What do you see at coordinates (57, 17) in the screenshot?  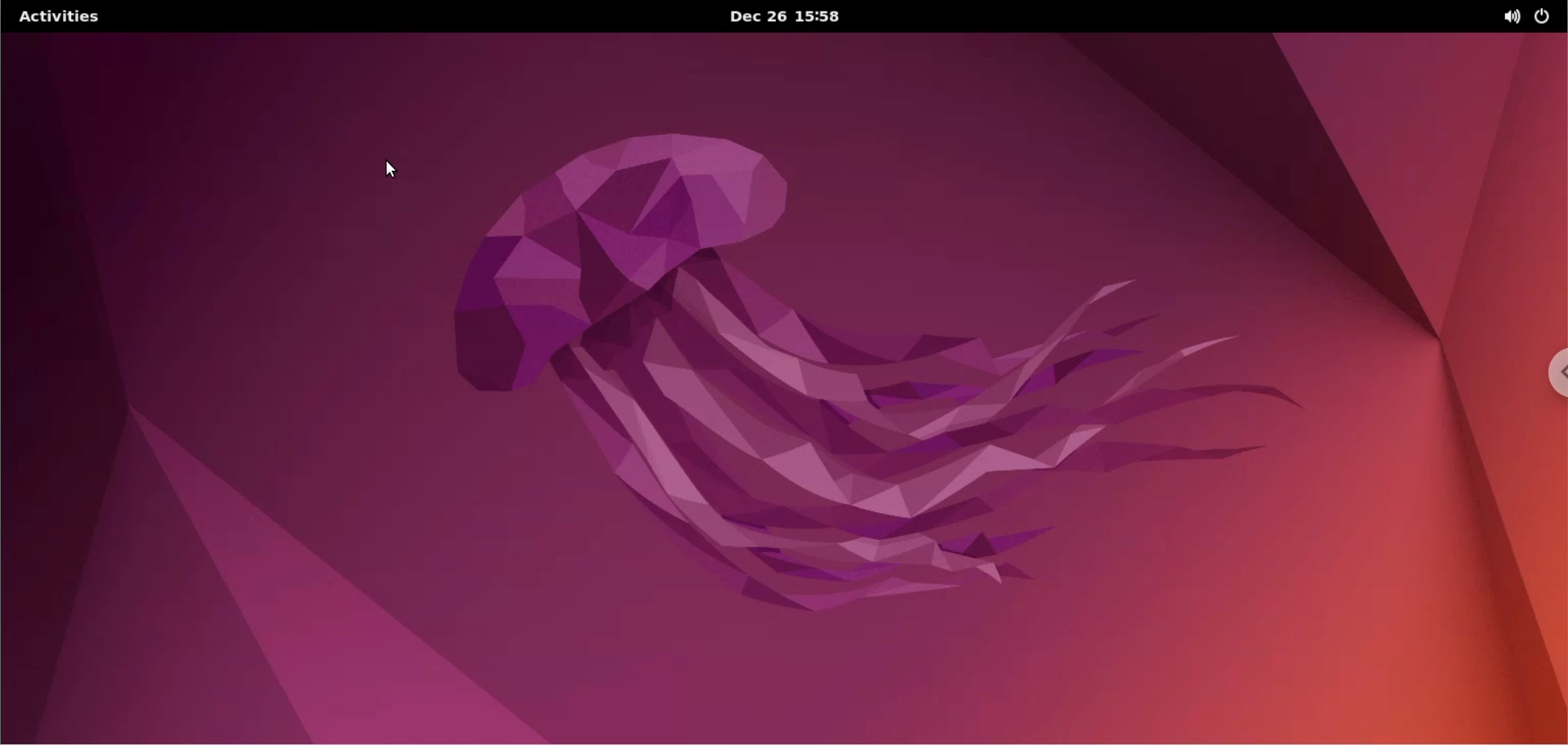 I see `Activities` at bounding box center [57, 17].